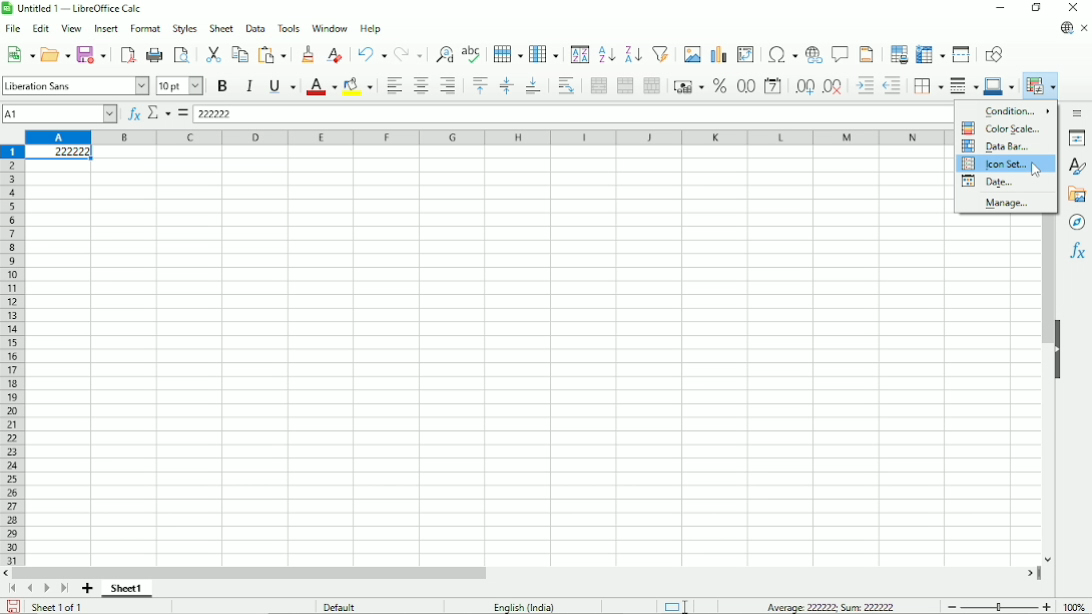 The width and height of the screenshot is (1092, 614). Describe the element at coordinates (479, 86) in the screenshot. I see `Align top` at that location.